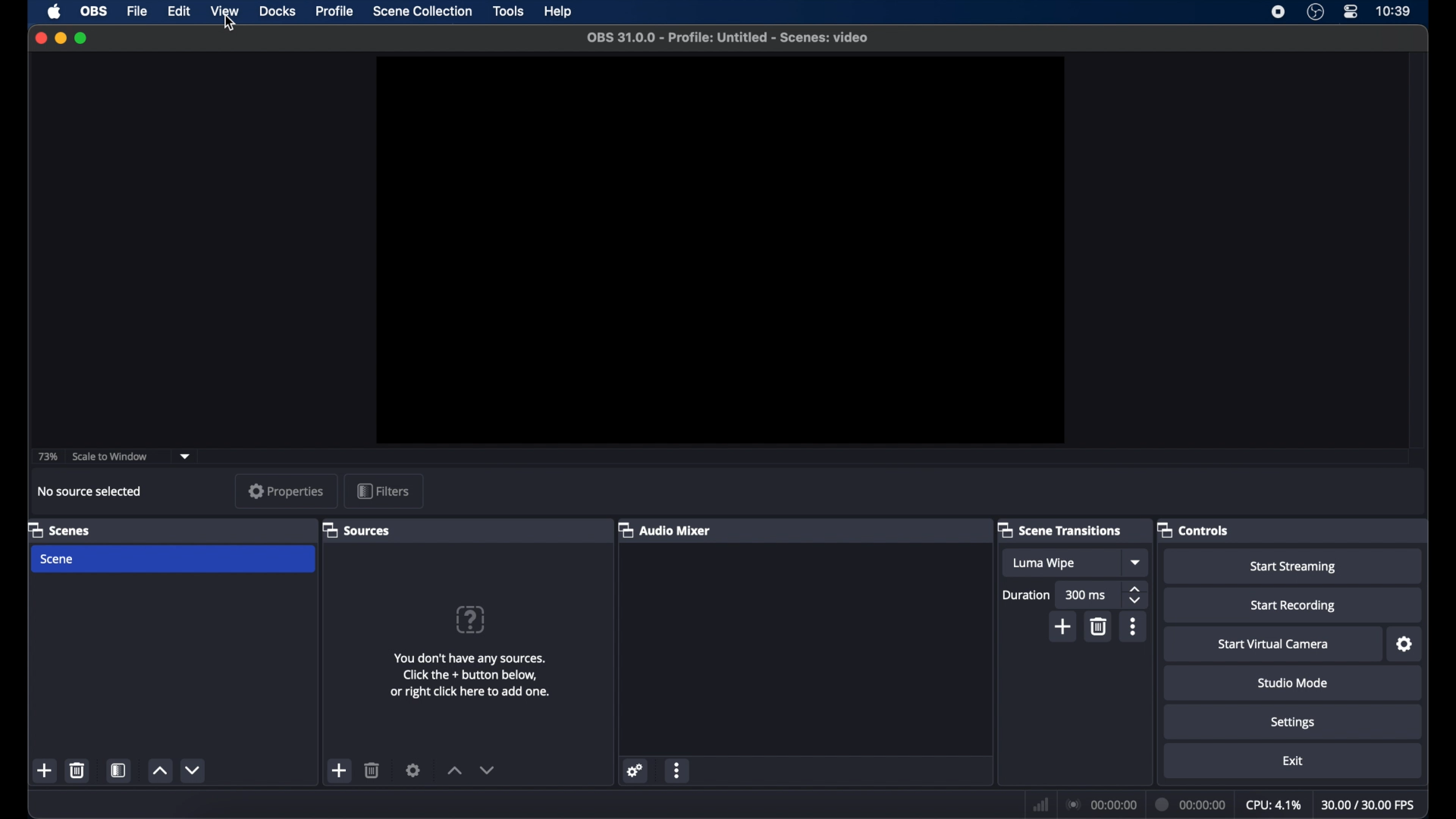 The width and height of the screenshot is (1456, 819). I want to click on scenes, so click(60, 529).